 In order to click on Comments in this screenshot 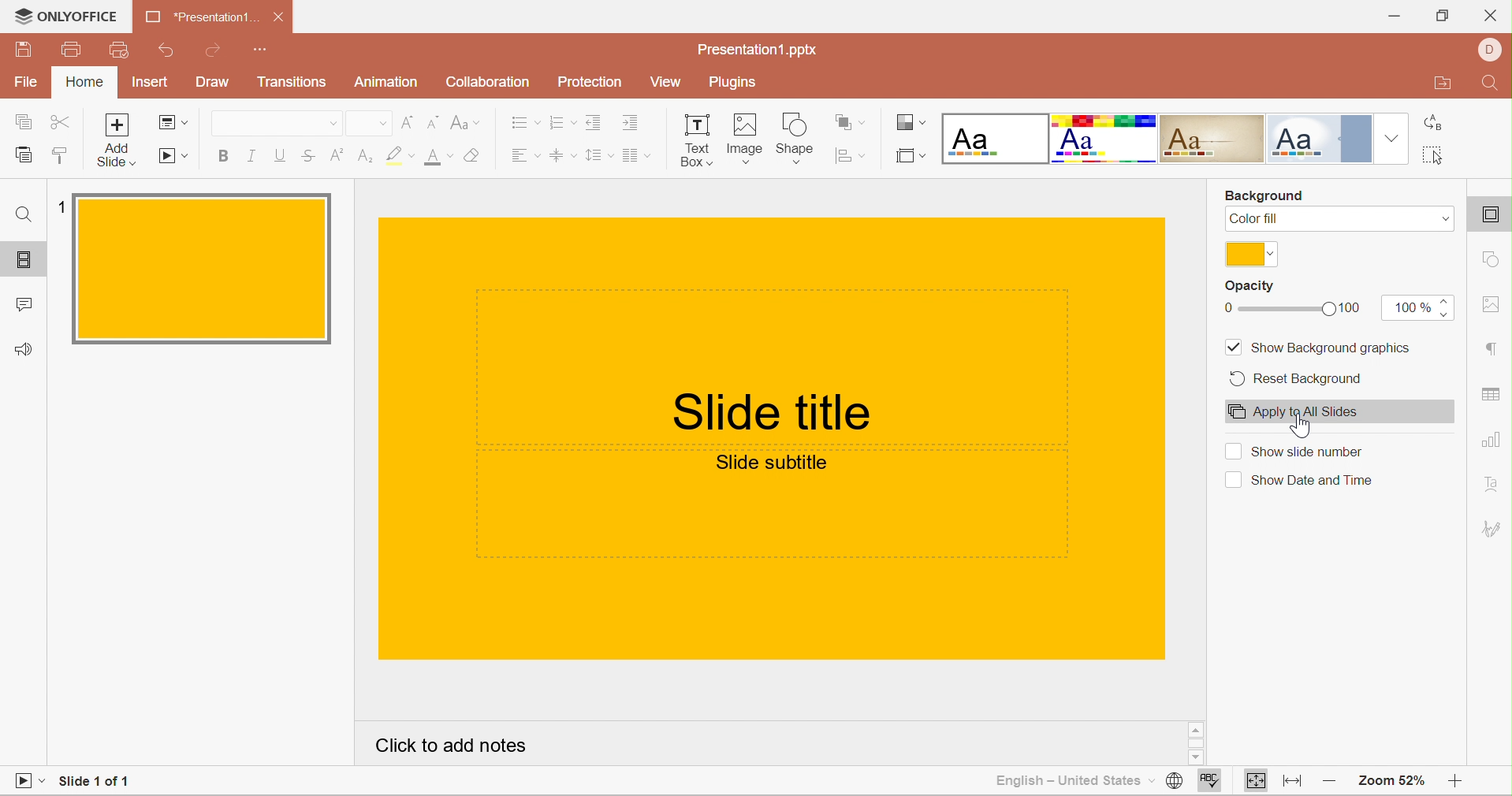, I will do `click(22, 306)`.